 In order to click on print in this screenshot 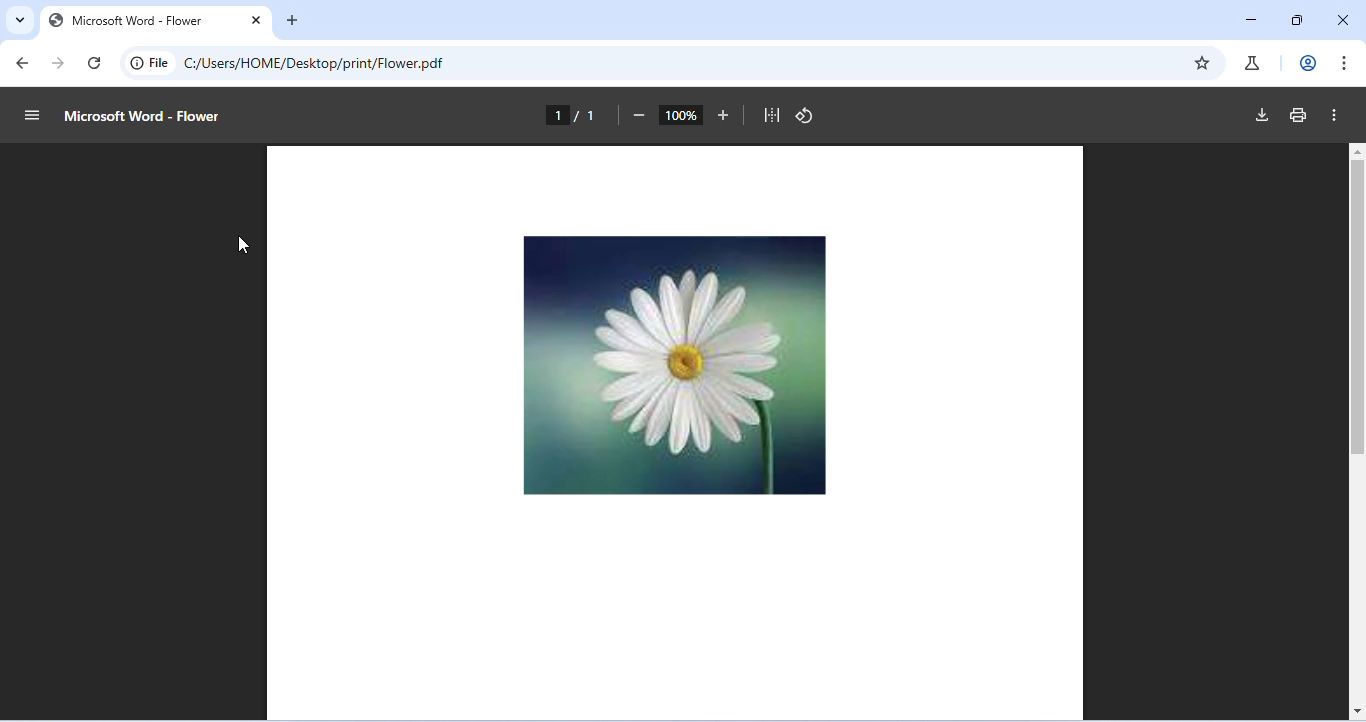, I will do `click(1299, 113)`.